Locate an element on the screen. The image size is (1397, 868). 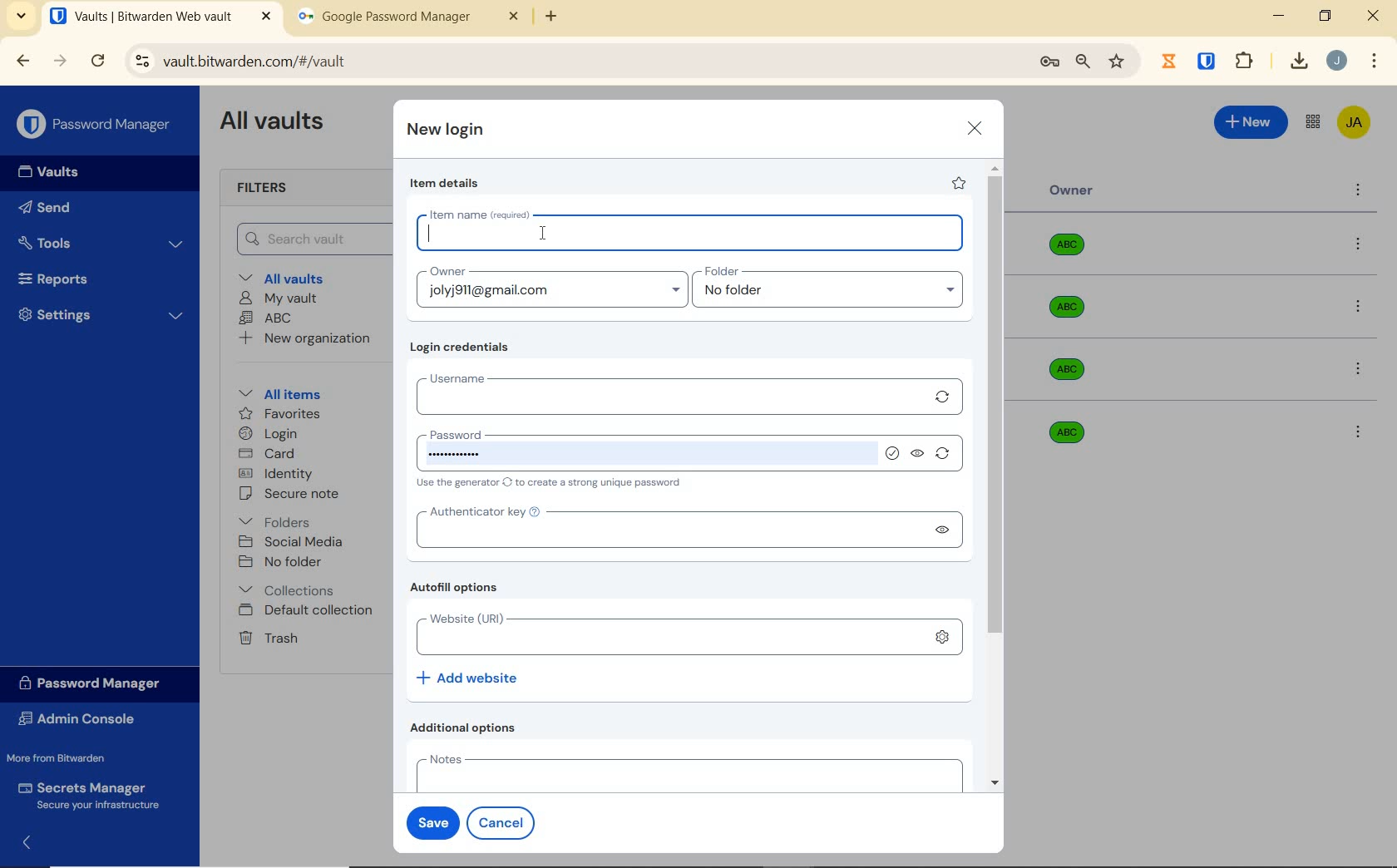
New login is located at coordinates (447, 131).